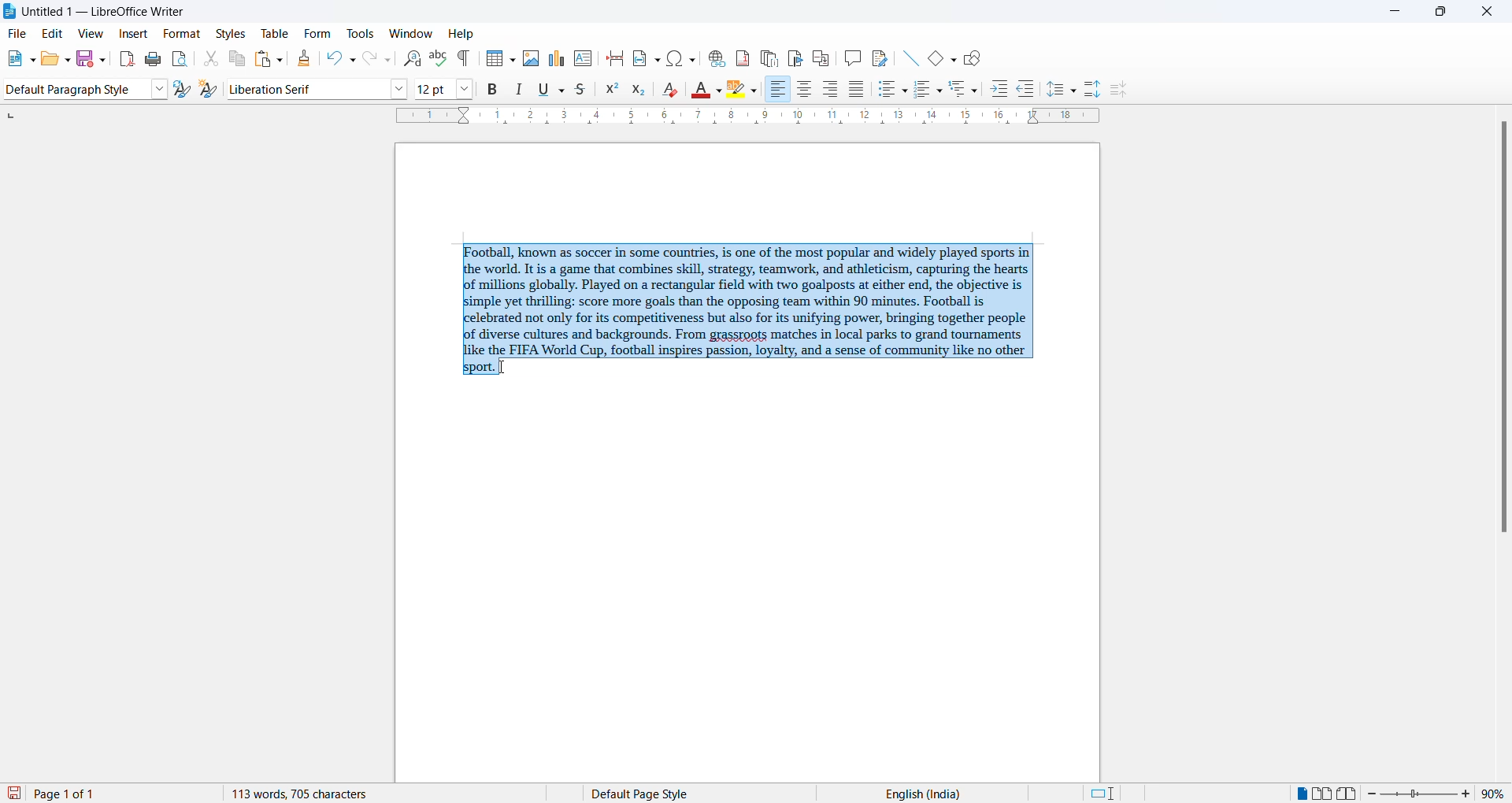  What do you see at coordinates (124, 59) in the screenshot?
I see `export as pdf` at bounding box center [124, 59].